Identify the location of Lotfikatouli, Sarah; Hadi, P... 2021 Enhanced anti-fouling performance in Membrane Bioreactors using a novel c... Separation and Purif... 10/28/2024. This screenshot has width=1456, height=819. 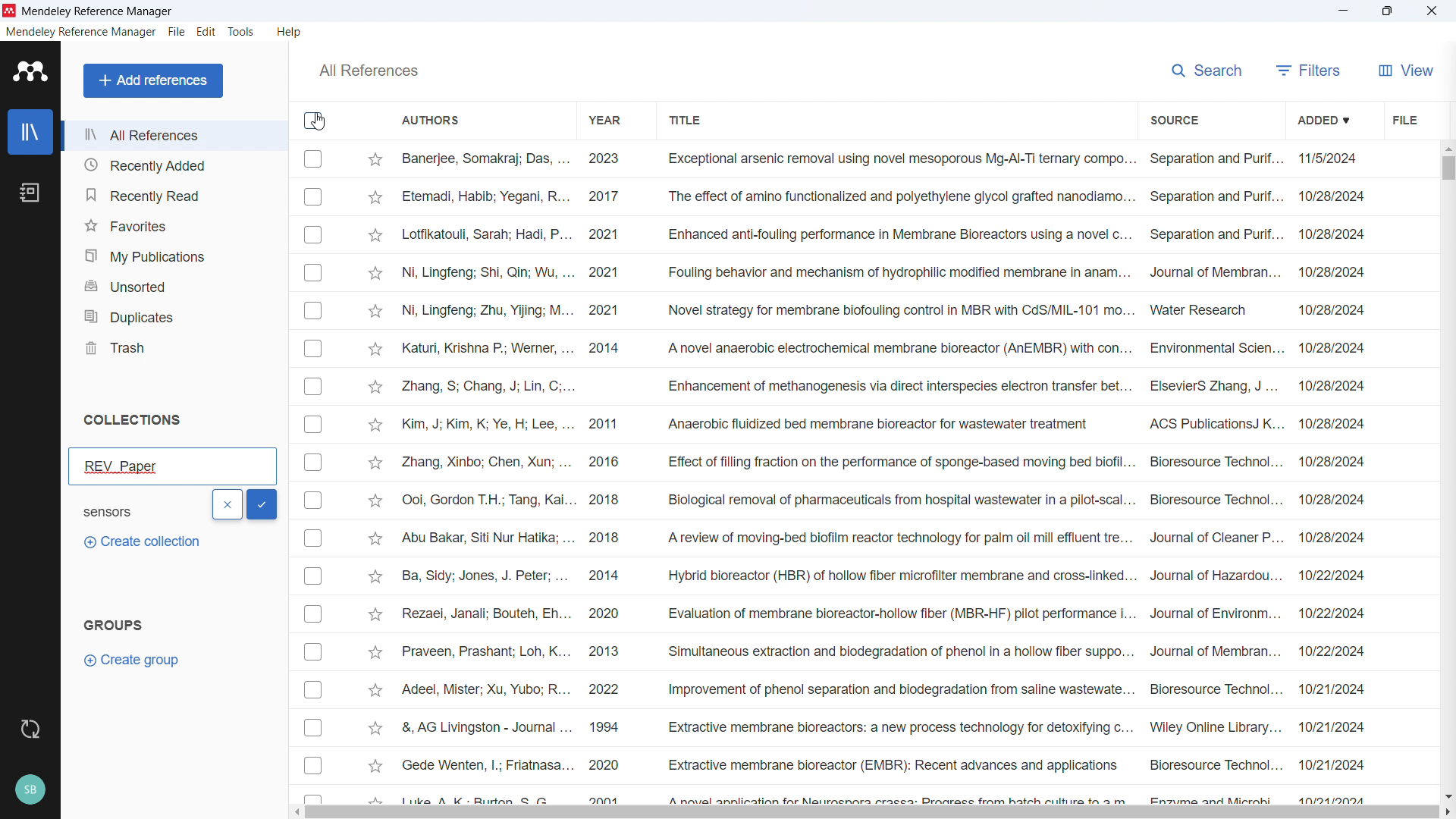
(883, 234).